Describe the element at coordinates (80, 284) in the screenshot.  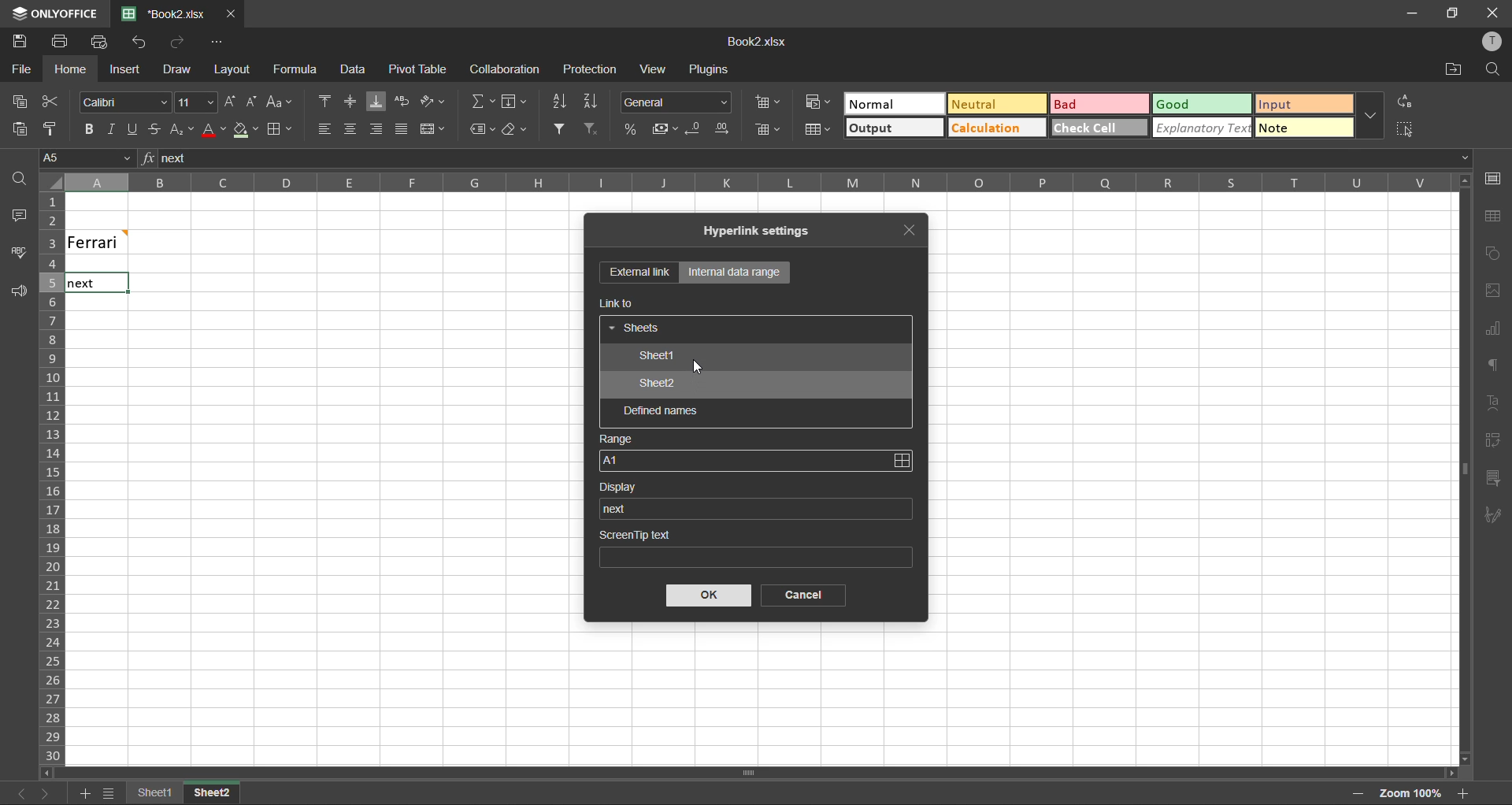
I see `Next` at that location.